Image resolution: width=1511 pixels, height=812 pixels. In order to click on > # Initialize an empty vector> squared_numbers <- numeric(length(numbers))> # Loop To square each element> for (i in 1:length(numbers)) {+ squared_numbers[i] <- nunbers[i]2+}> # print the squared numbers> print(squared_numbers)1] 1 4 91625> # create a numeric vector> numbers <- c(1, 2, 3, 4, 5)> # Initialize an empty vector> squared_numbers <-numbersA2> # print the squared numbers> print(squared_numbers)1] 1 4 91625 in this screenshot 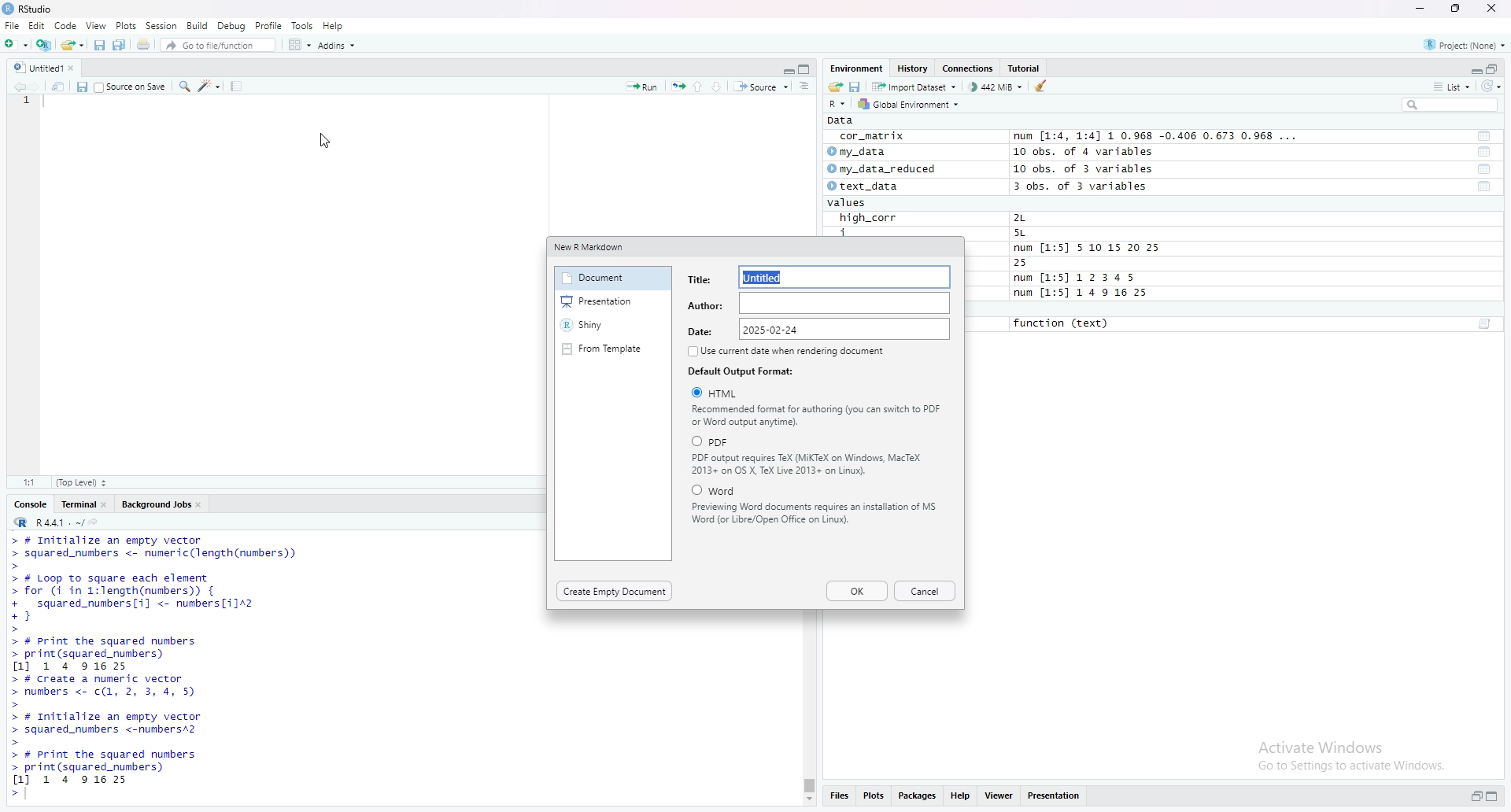, I will do `click(168, 670)`.